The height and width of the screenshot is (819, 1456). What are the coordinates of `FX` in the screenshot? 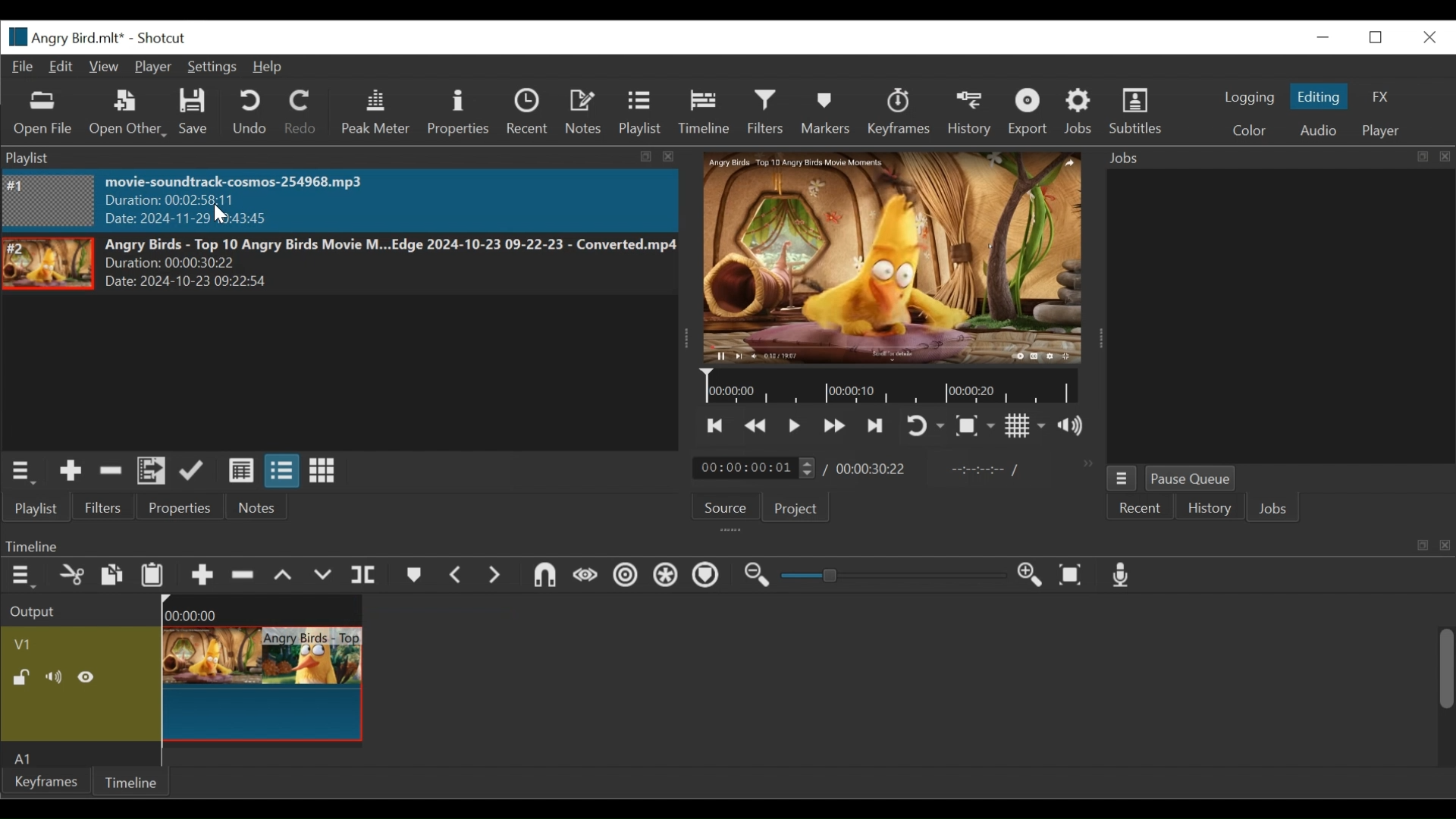 It's located at (1382, 99).